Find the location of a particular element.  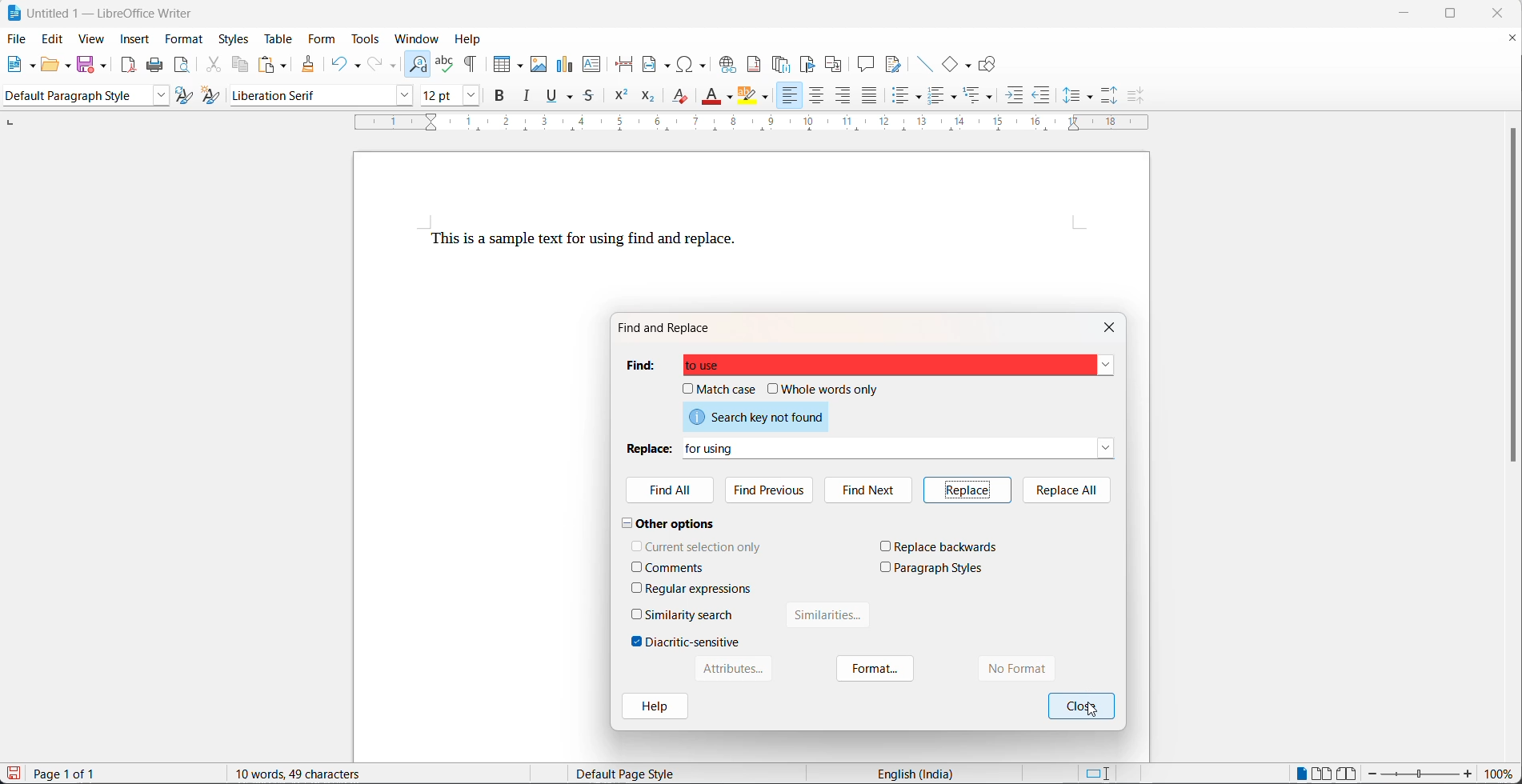

insert bookmark is located at coordinates (811, 64).